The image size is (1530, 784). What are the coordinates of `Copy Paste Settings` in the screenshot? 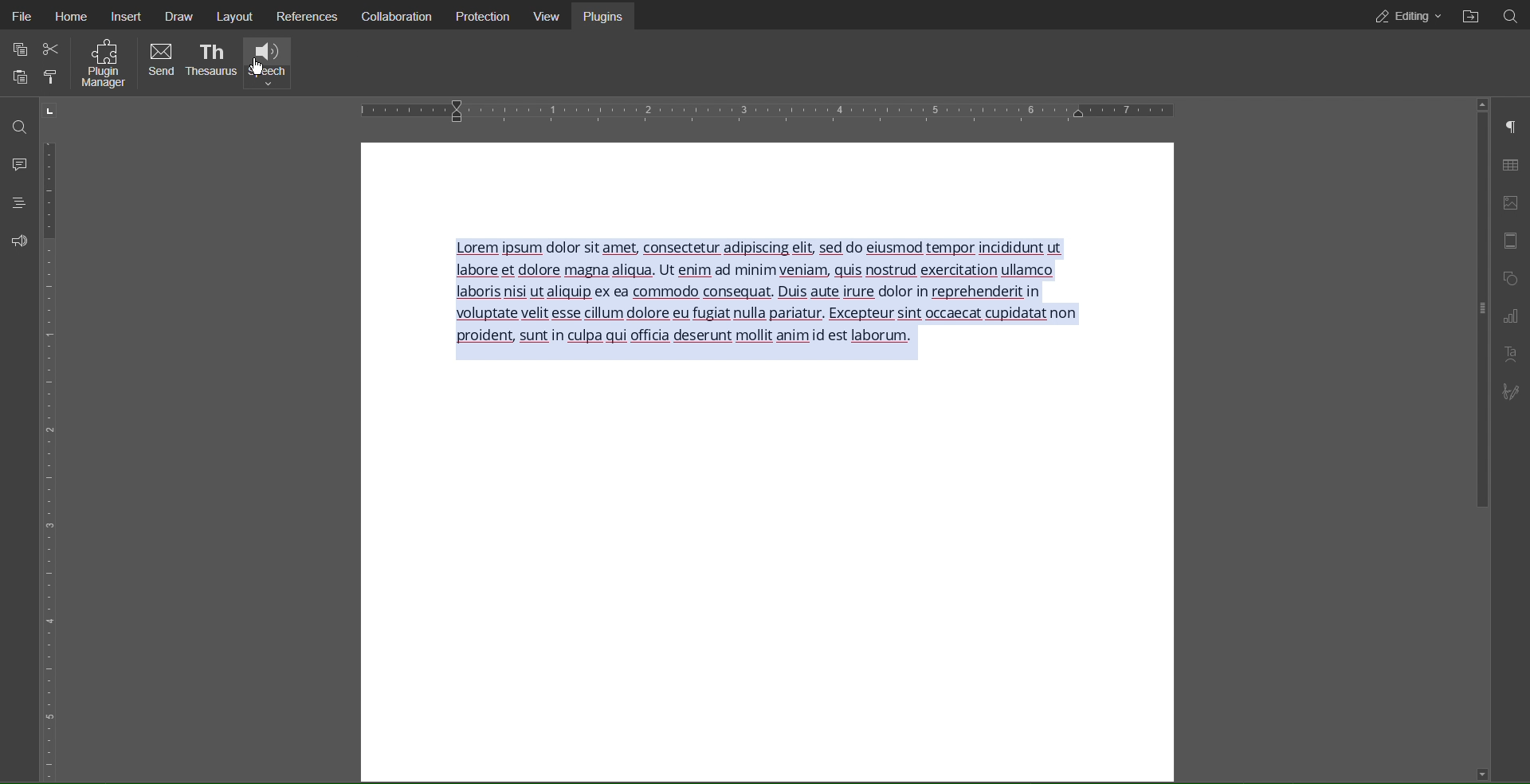 It's located at (18, 48).